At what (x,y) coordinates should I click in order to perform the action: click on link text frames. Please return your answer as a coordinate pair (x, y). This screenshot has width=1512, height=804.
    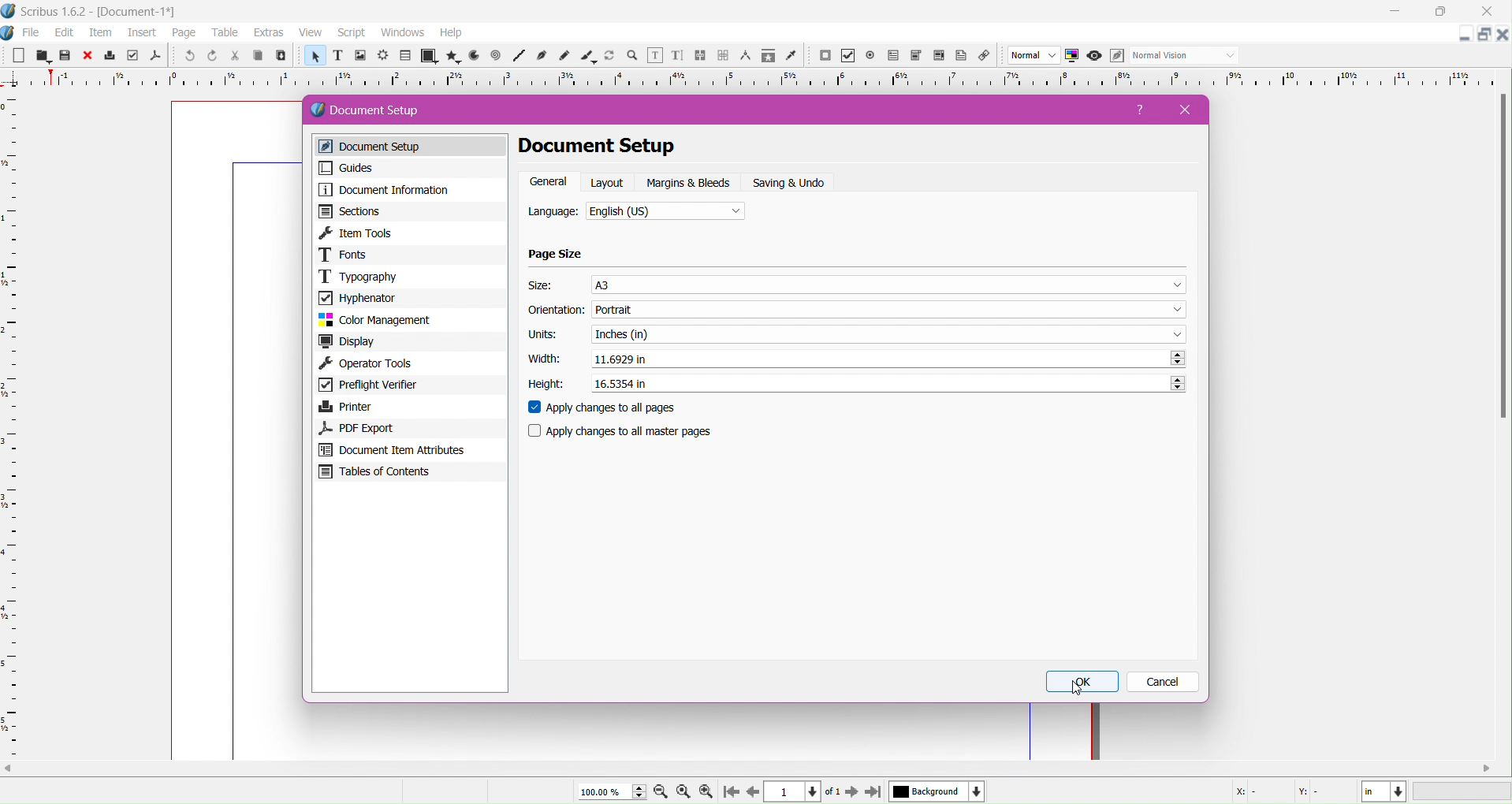
    Looking at the image, I should click on (700, 56).